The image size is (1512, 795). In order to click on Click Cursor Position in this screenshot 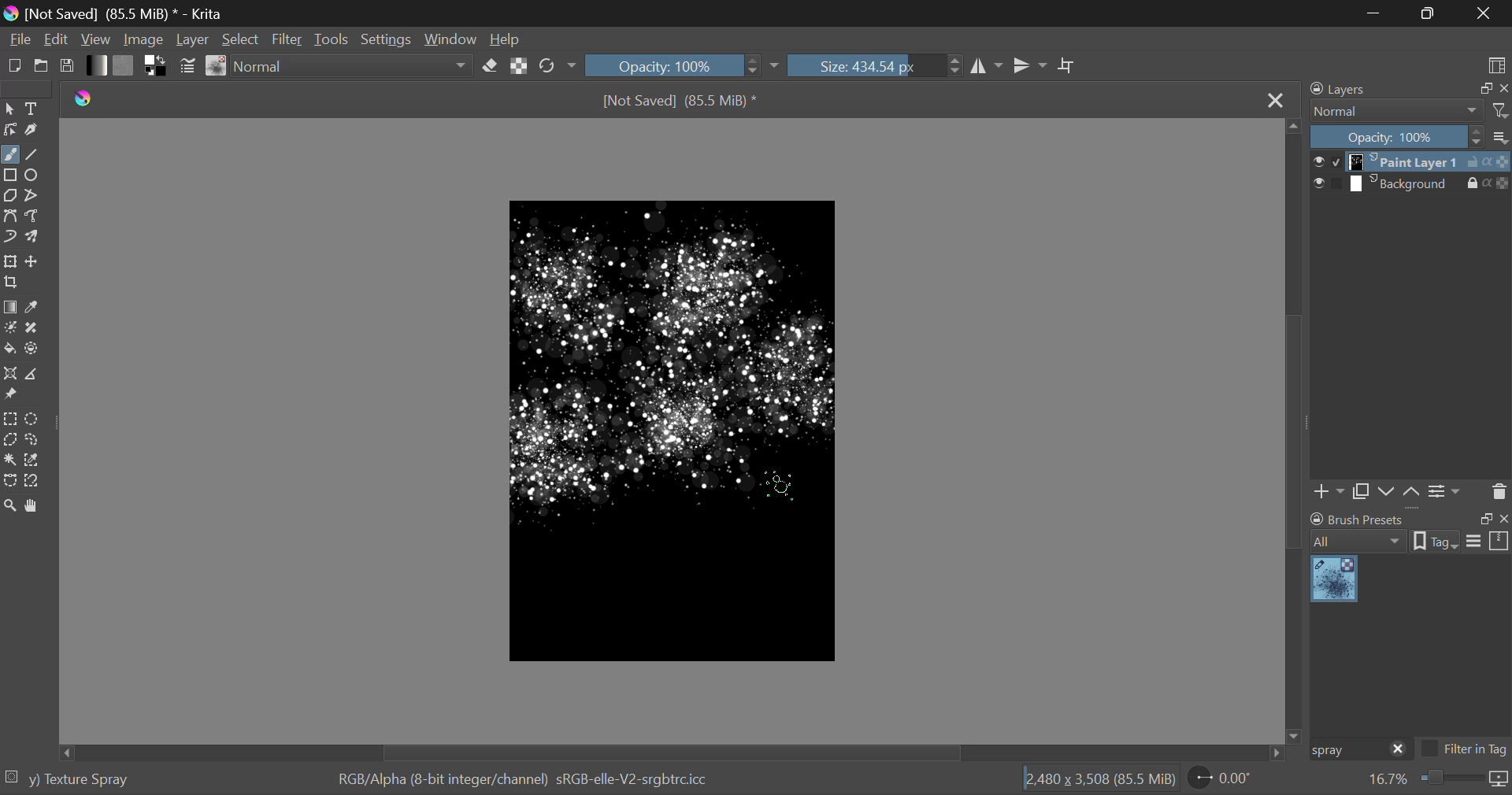, I will do `click(780, 490)`.